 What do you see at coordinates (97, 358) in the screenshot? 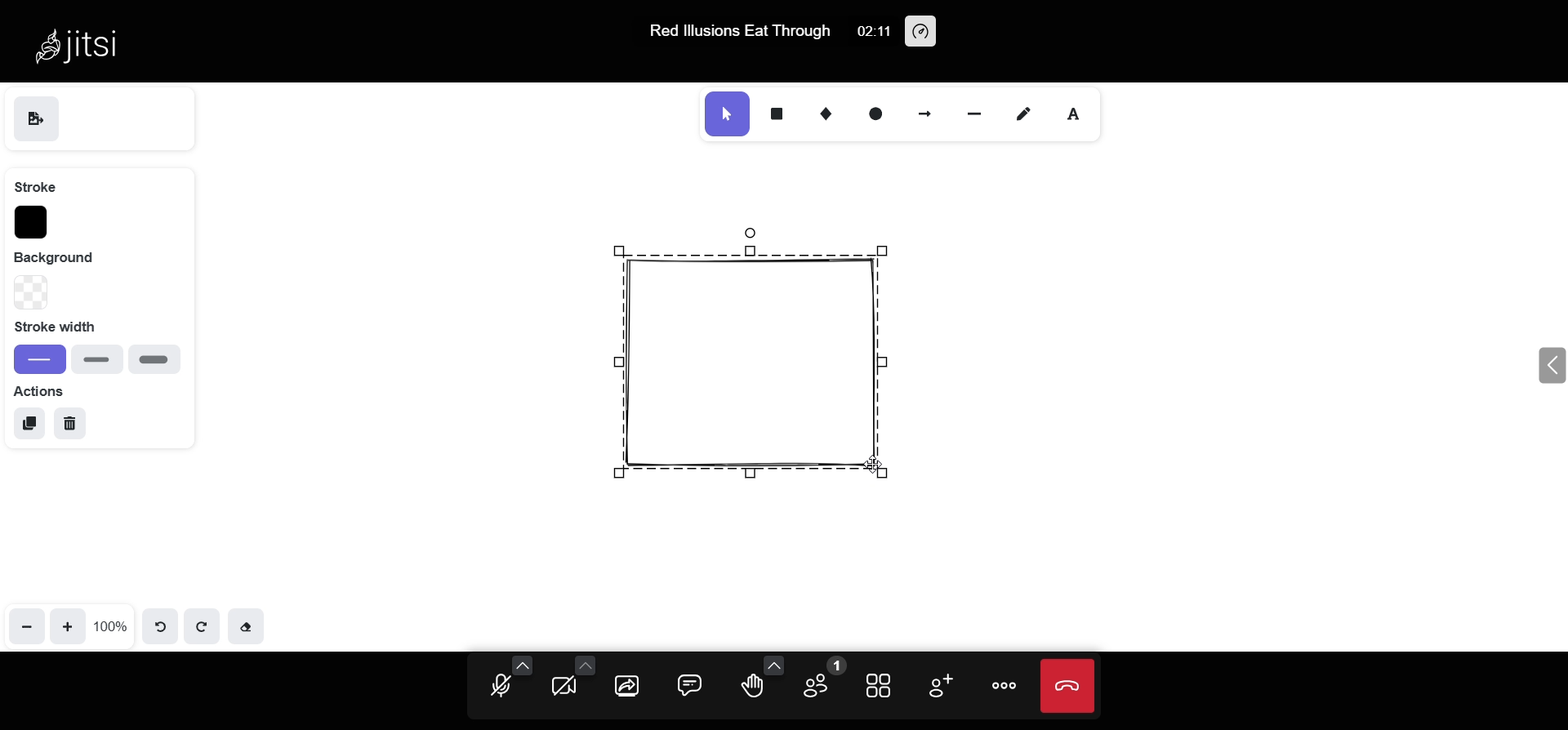
I see `bold` at bounding box center [97, 358].